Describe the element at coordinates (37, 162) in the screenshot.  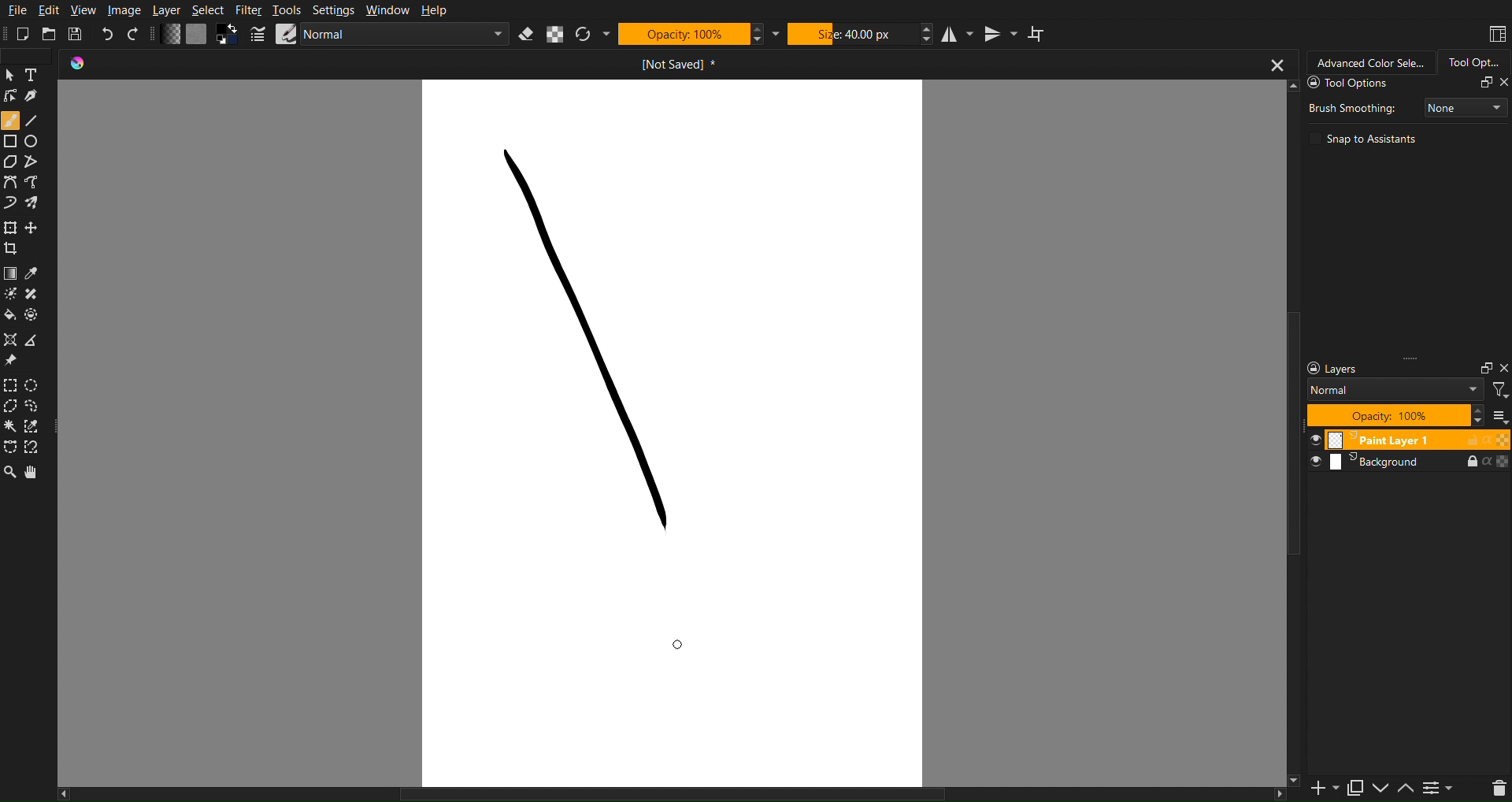
I see `Straight Line` at that location.